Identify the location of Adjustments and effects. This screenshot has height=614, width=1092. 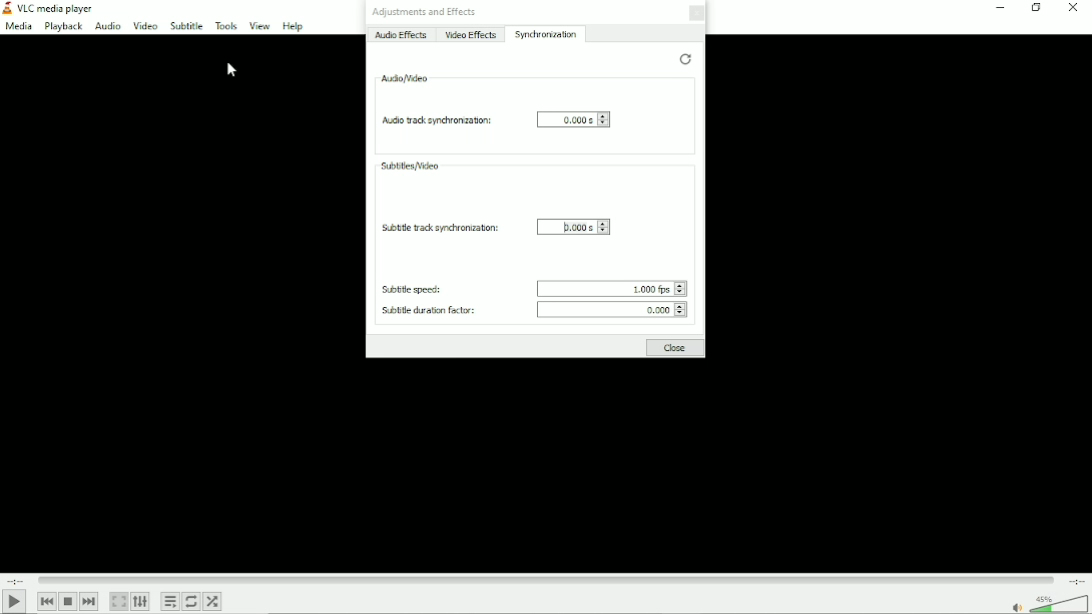
(424, 12).